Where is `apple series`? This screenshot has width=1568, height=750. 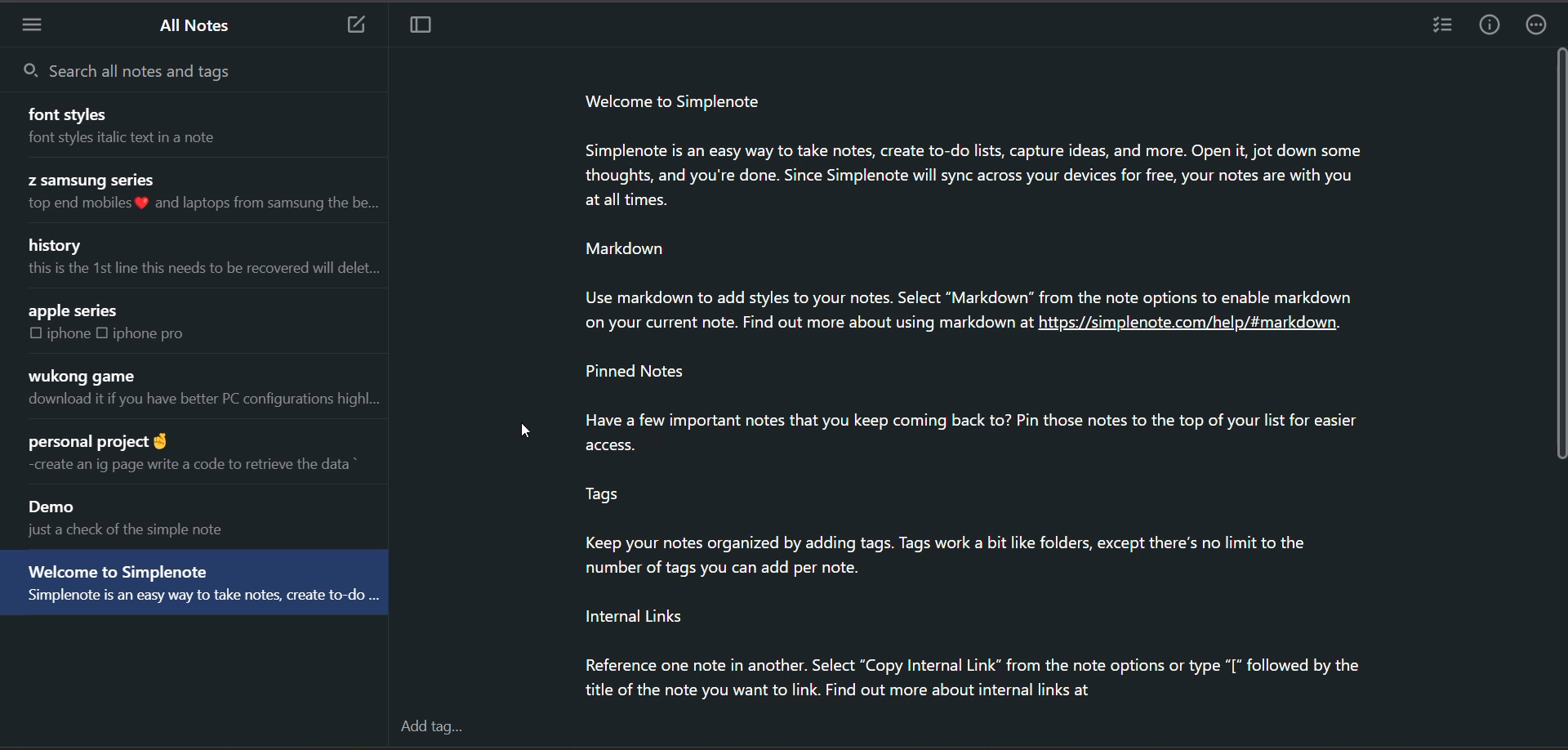
apple series is located at coordinates (87, 308).